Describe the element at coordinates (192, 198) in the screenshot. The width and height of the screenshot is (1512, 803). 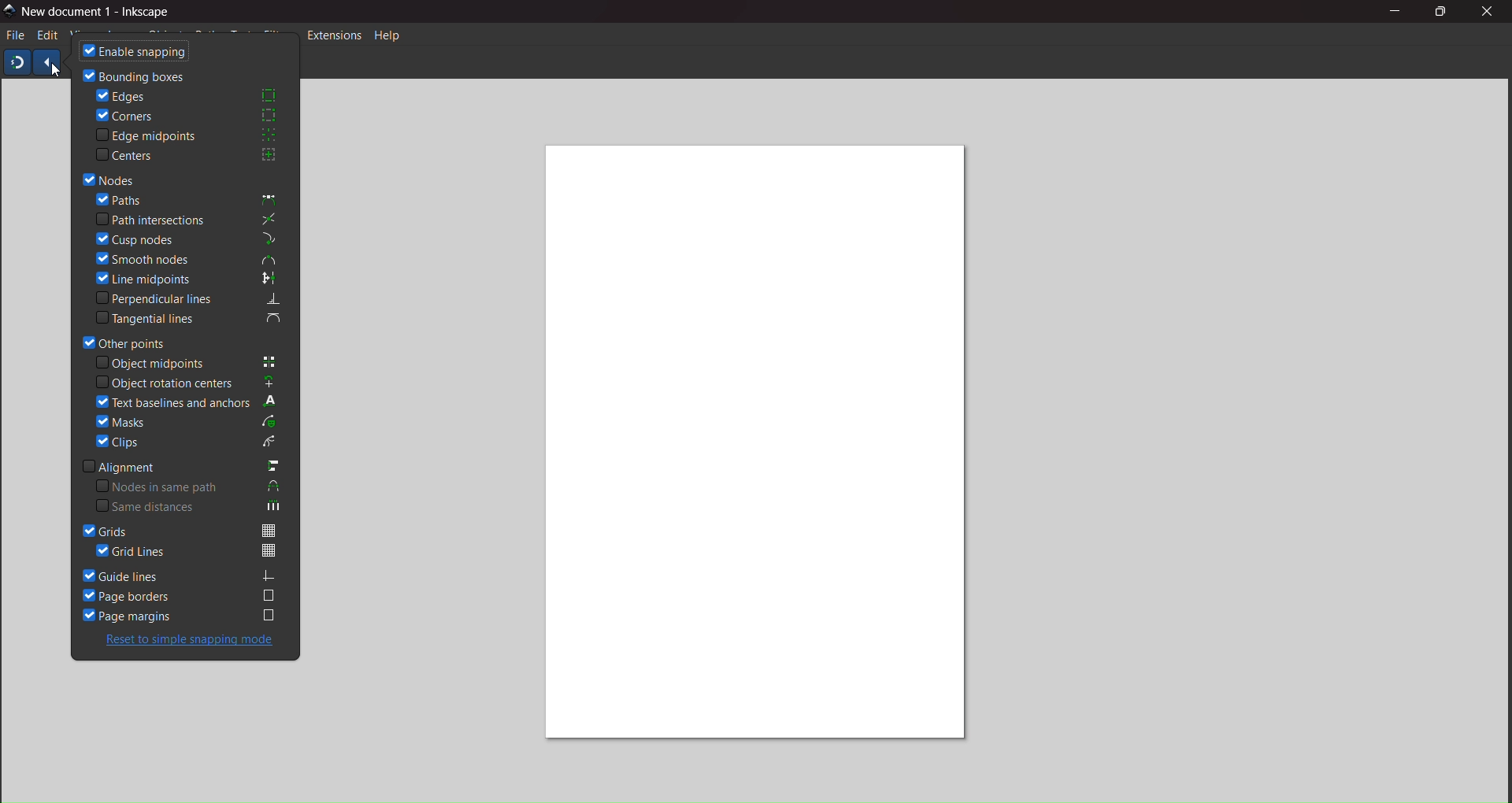
I see `path` at that location.